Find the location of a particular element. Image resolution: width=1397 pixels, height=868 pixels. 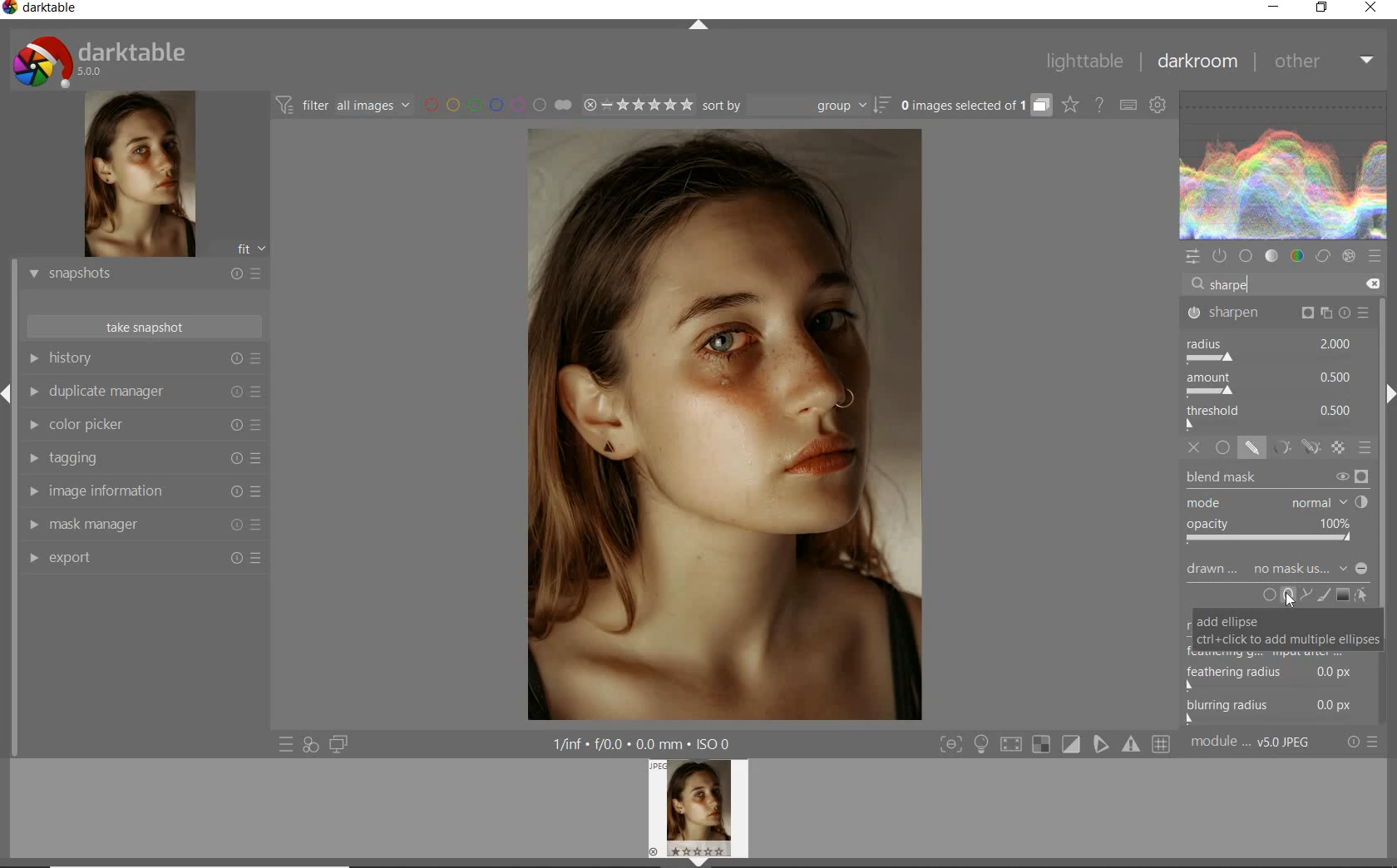

selected image is located at coordinates (720, 423).